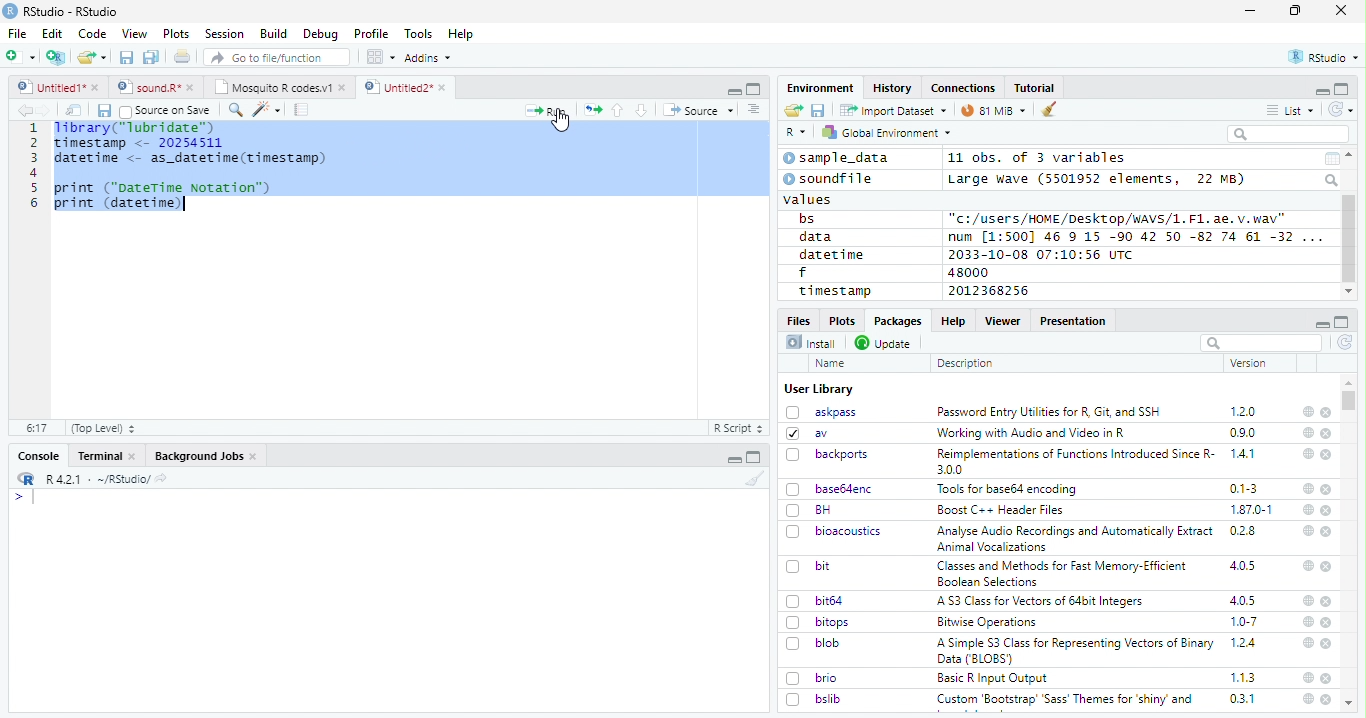 Image resolution: width=1366 pixels, height=718 pixels. What do you see at coordinates (834, 531) in the screenshot?
I see `bioacoustics` at bounding box center [834, 531].